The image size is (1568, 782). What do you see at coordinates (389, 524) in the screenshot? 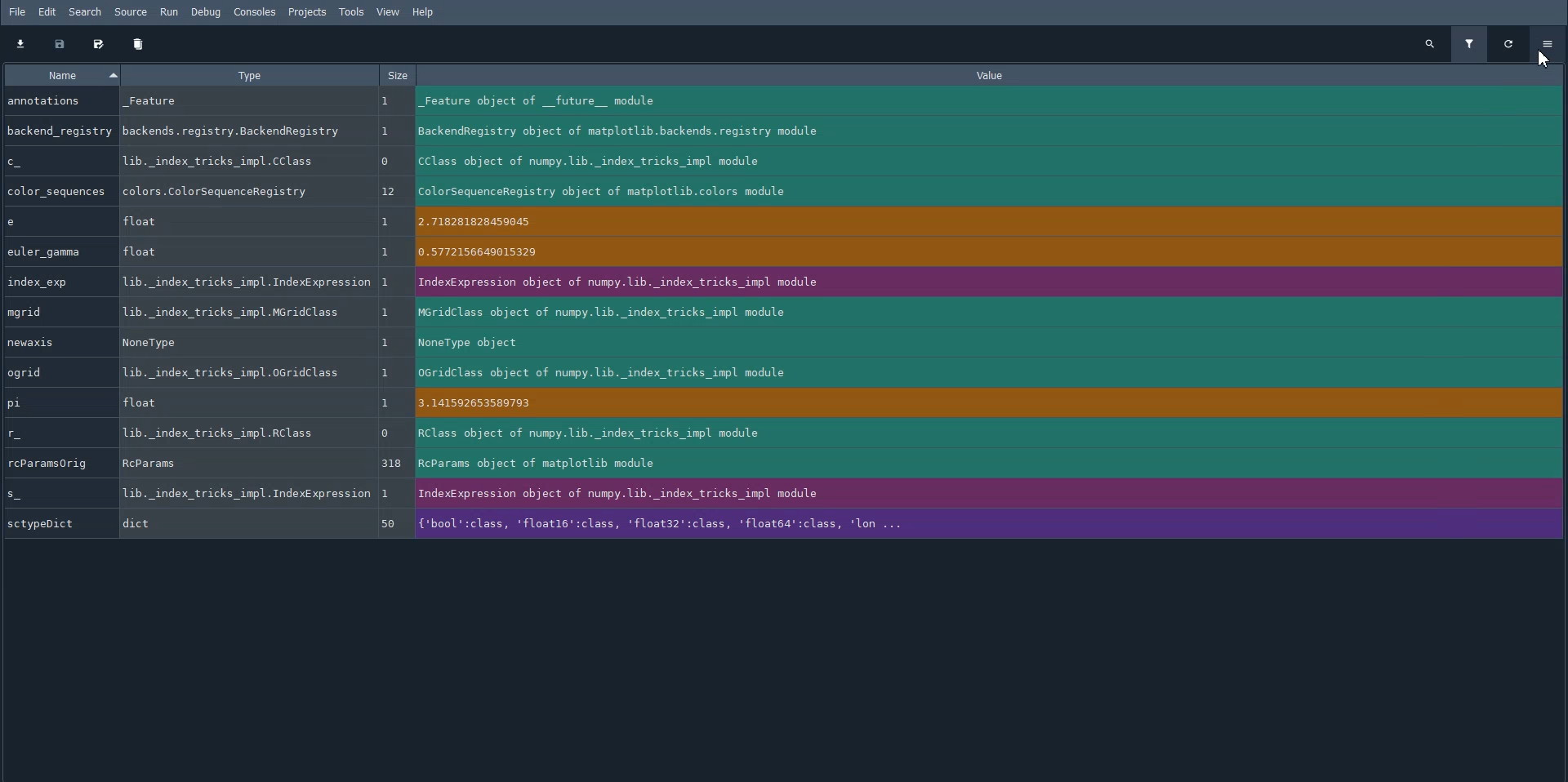
I see `50` at bounding box center [389, 524].